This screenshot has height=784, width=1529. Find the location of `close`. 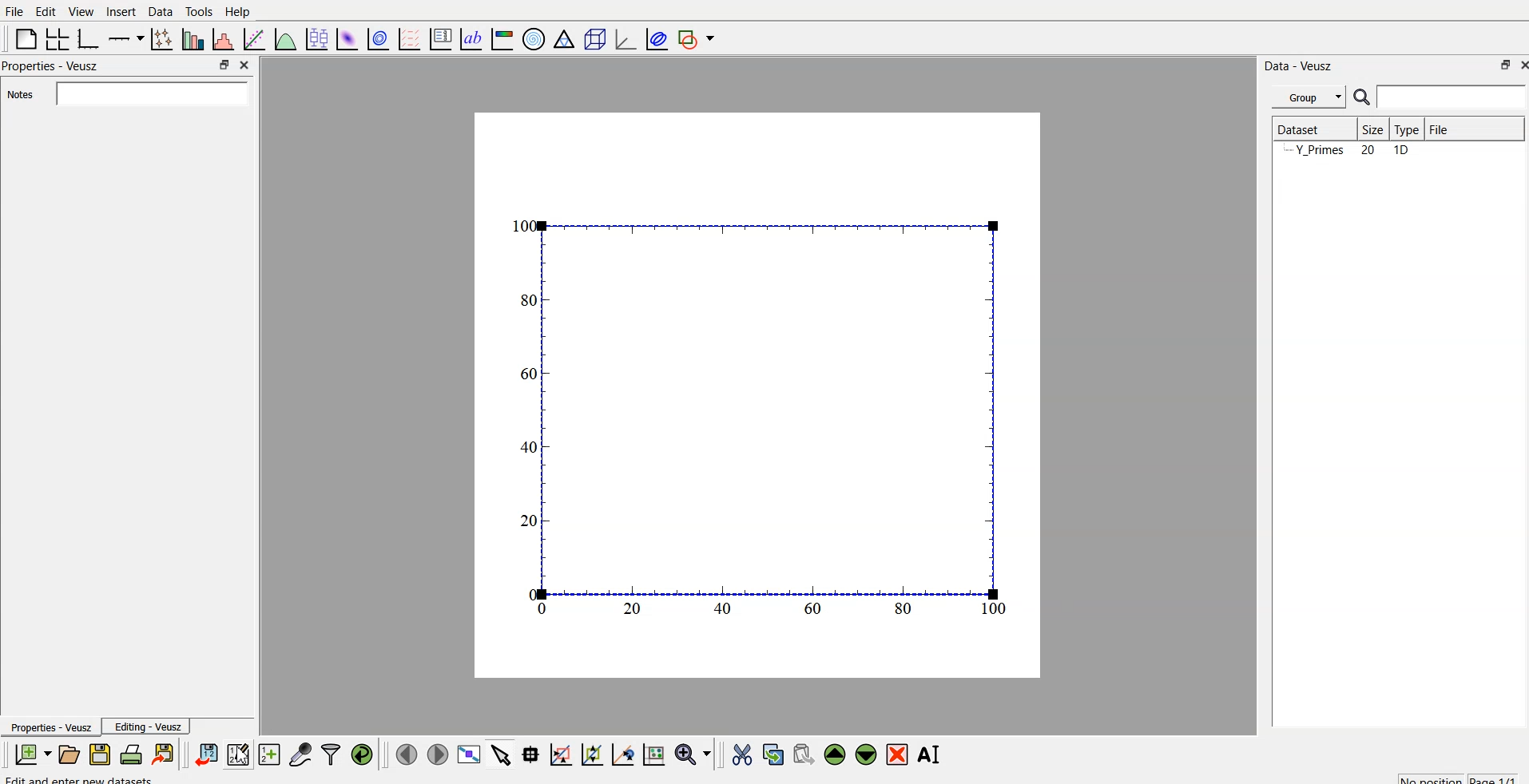

close is located at coordinates (243, 64).